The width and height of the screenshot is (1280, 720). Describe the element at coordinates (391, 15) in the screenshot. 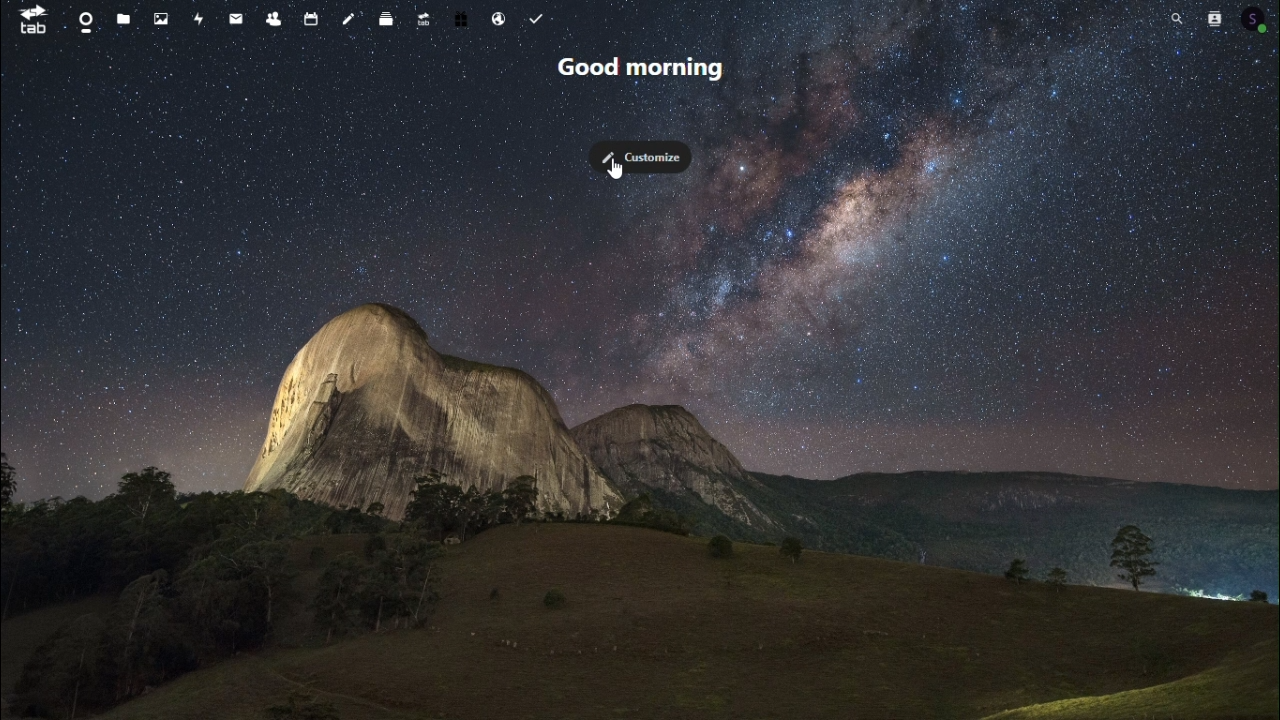

I see `deck` at that location.